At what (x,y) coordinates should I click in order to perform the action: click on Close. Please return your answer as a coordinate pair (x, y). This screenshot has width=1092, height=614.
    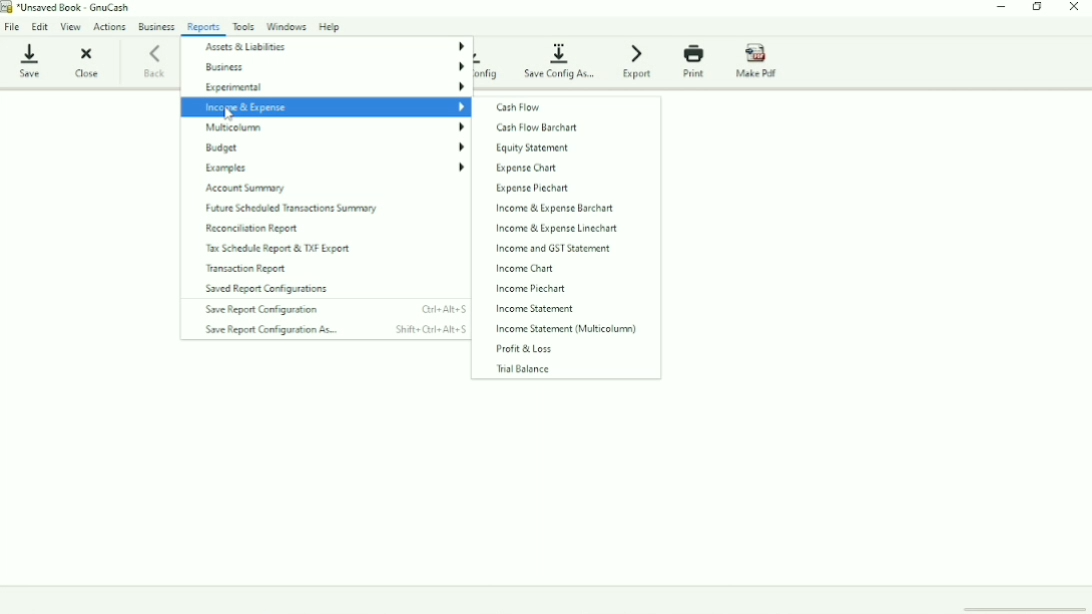
    Looking at the image, I should click on (85, 61).